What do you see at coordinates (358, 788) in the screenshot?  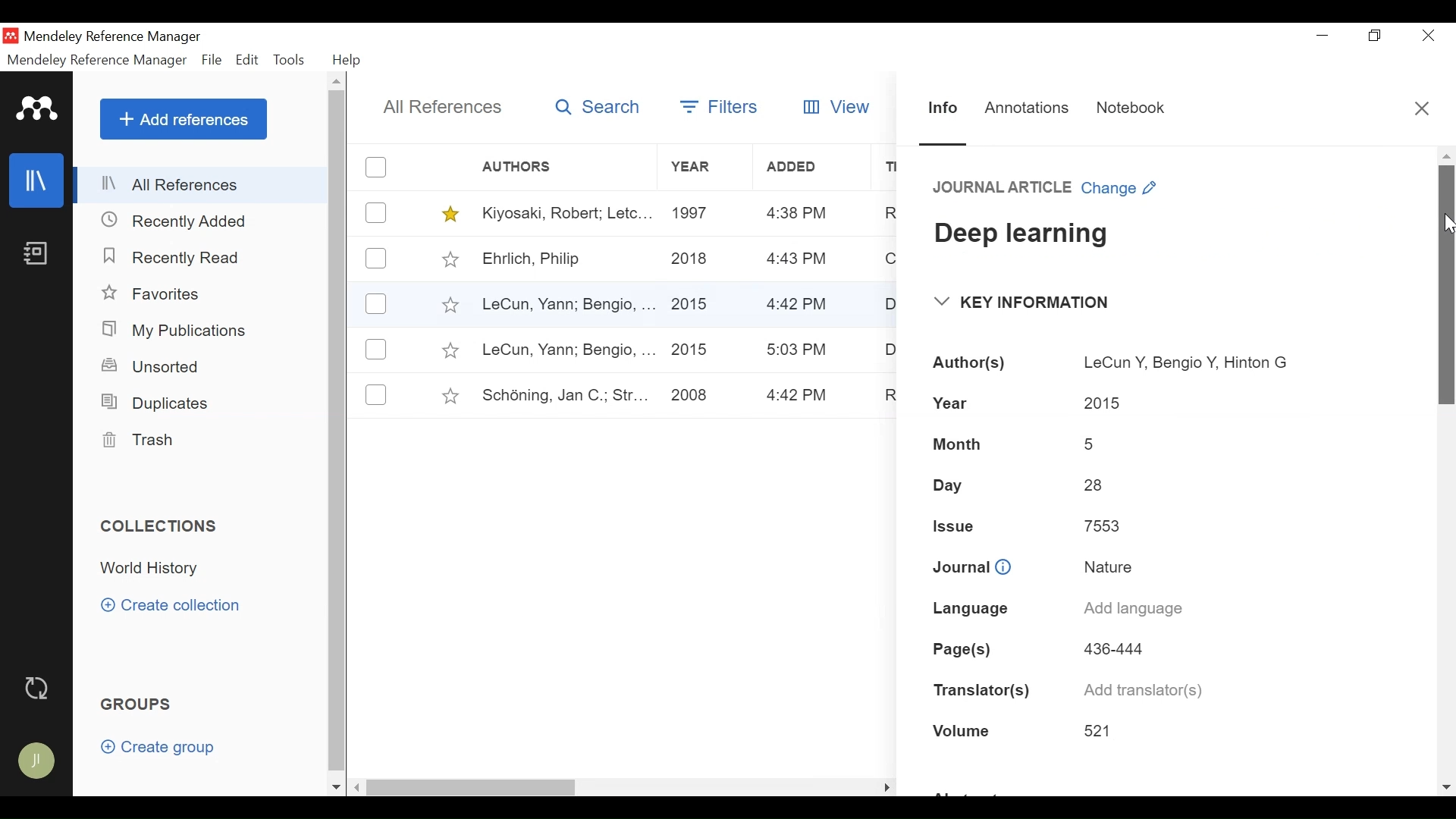 I see `Scroll Right` at bounding box center [358, 788].